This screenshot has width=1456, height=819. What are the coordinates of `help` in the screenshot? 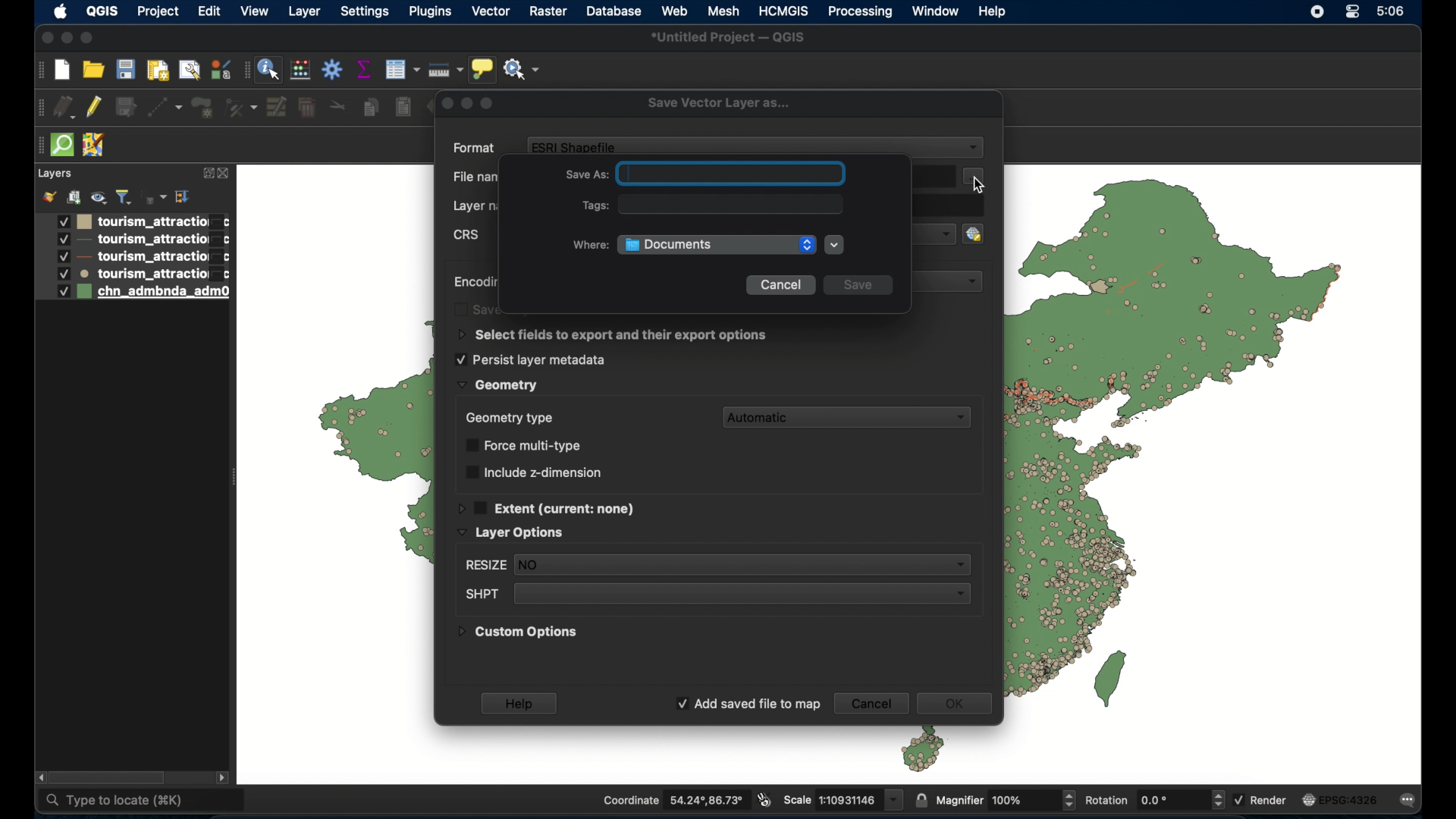 It's located at (521, 703).